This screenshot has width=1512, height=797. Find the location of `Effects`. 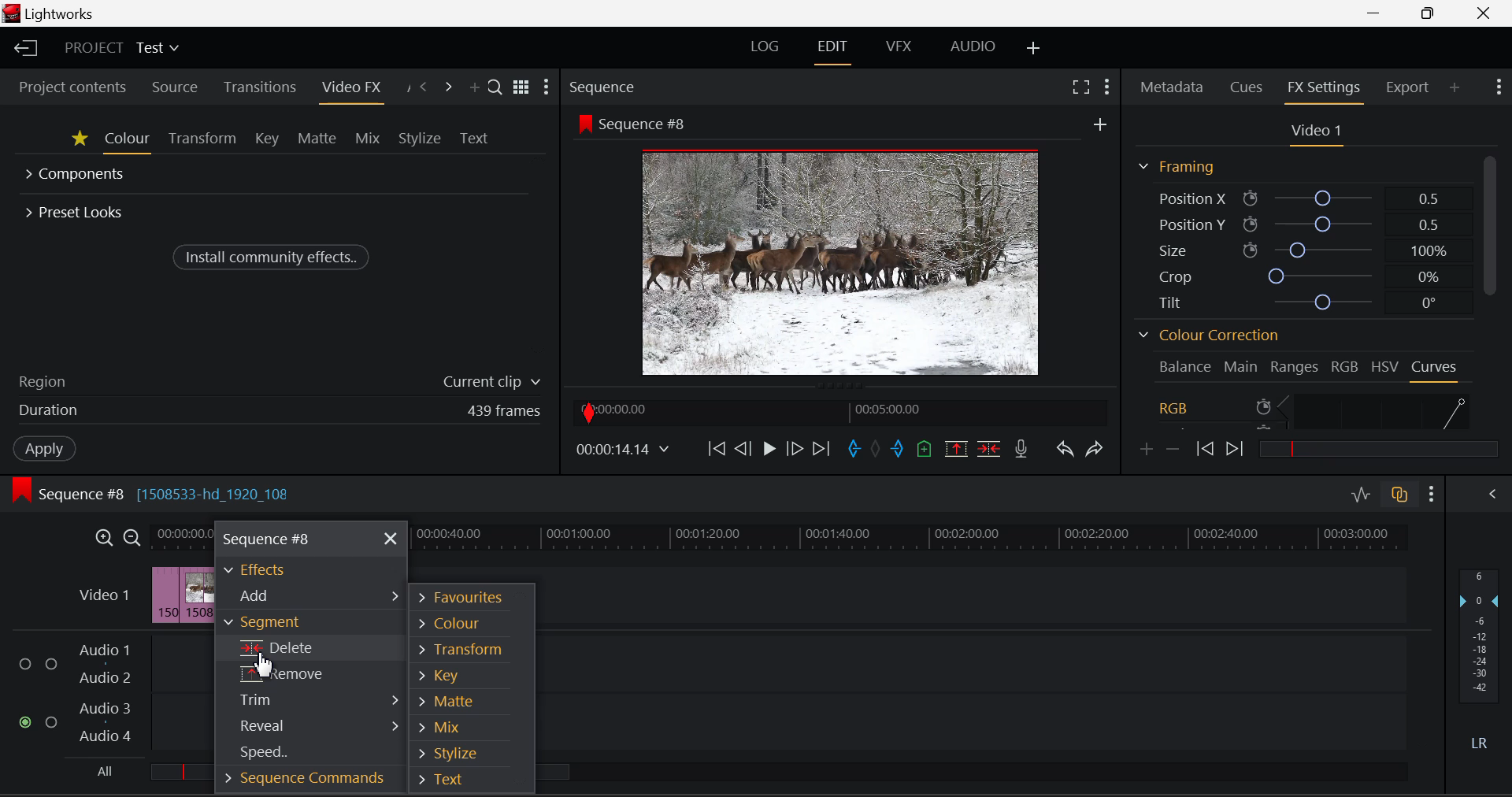

Effects is located at coordinates (287, 568).